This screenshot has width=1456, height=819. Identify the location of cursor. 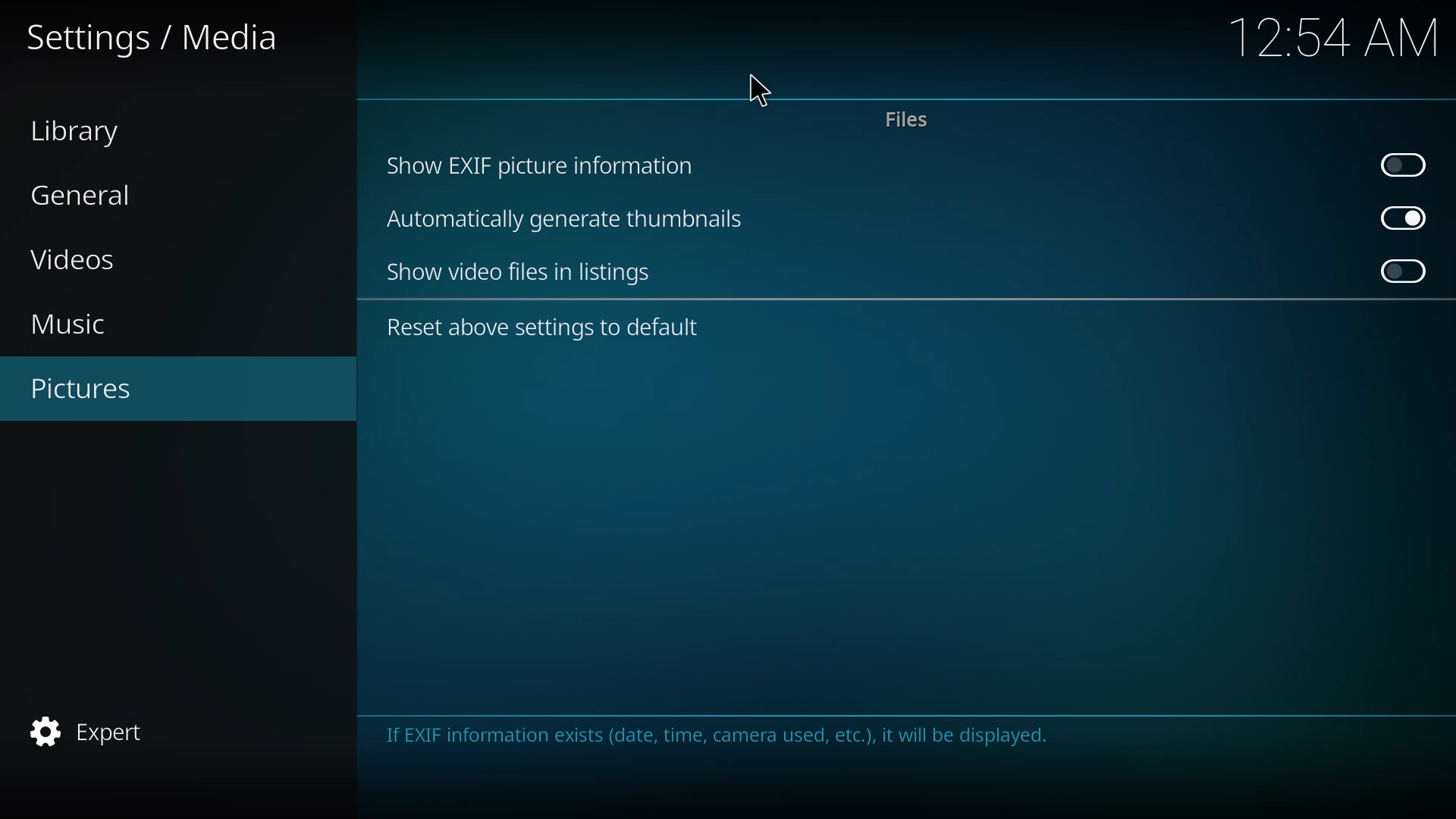
(765, 89).